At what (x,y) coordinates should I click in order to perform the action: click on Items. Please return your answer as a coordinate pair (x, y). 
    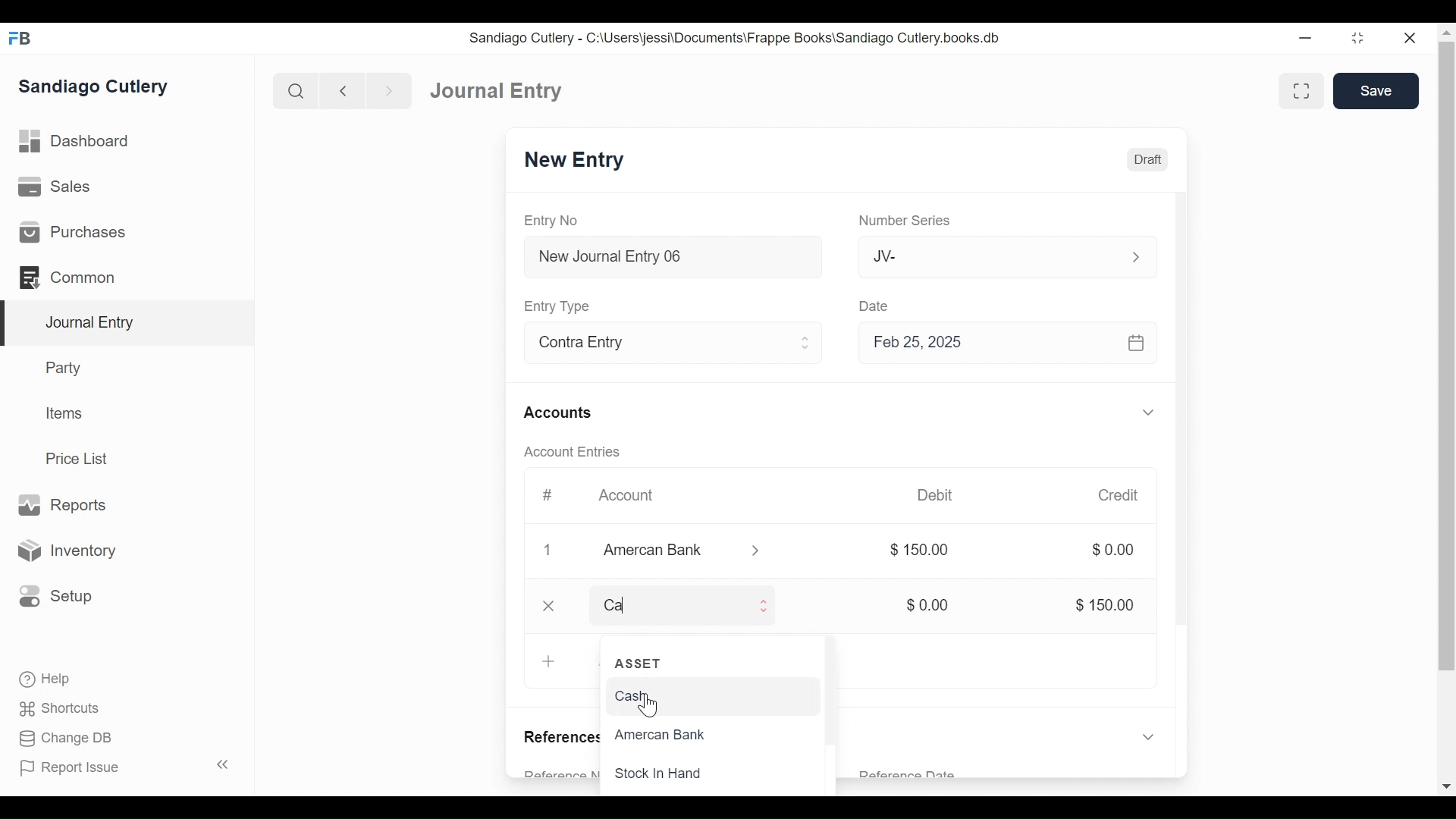
    Looking at the image, I should click on (65, 413).